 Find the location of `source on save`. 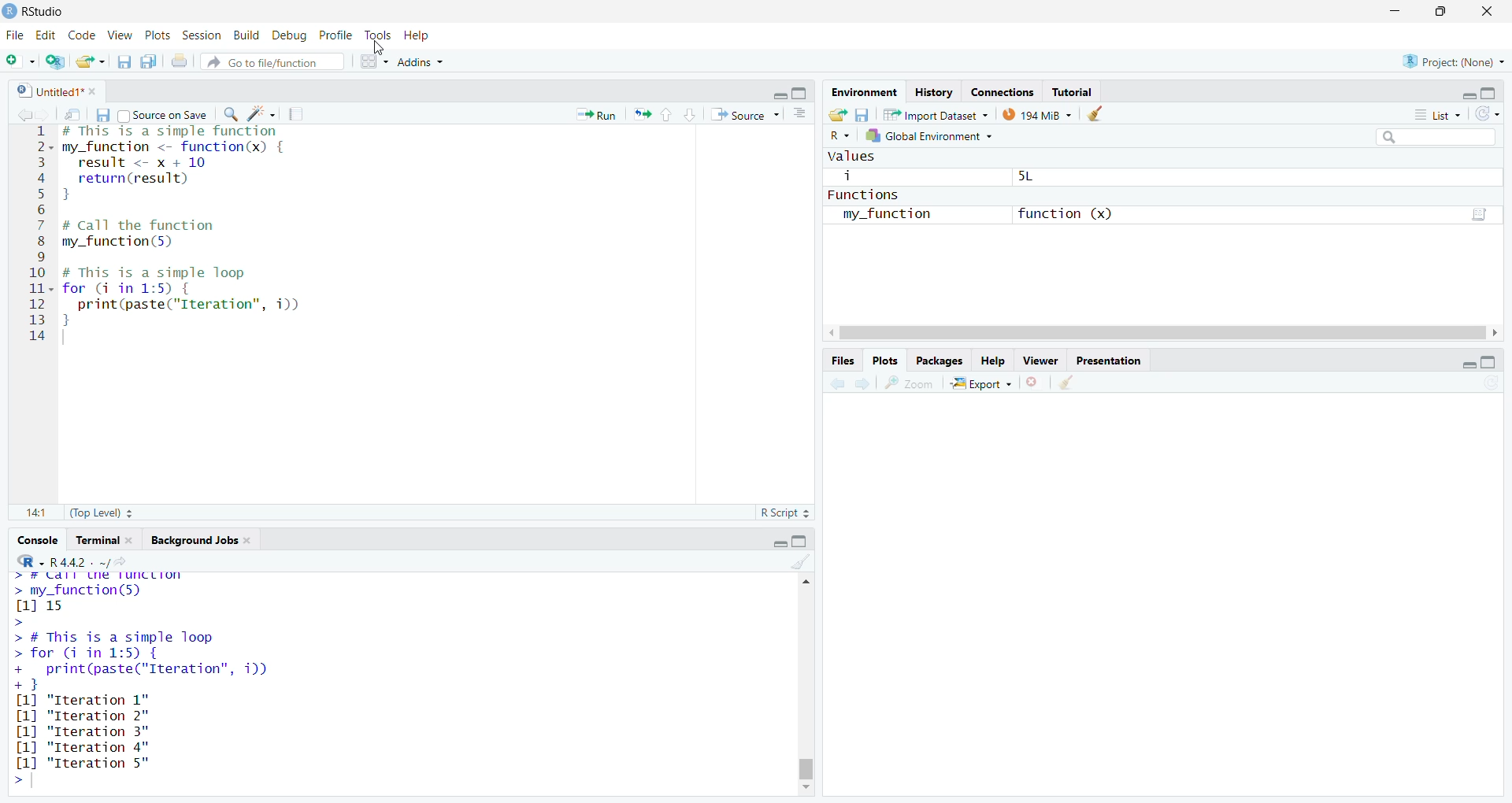

source on save is located at coordinates (163, 113).